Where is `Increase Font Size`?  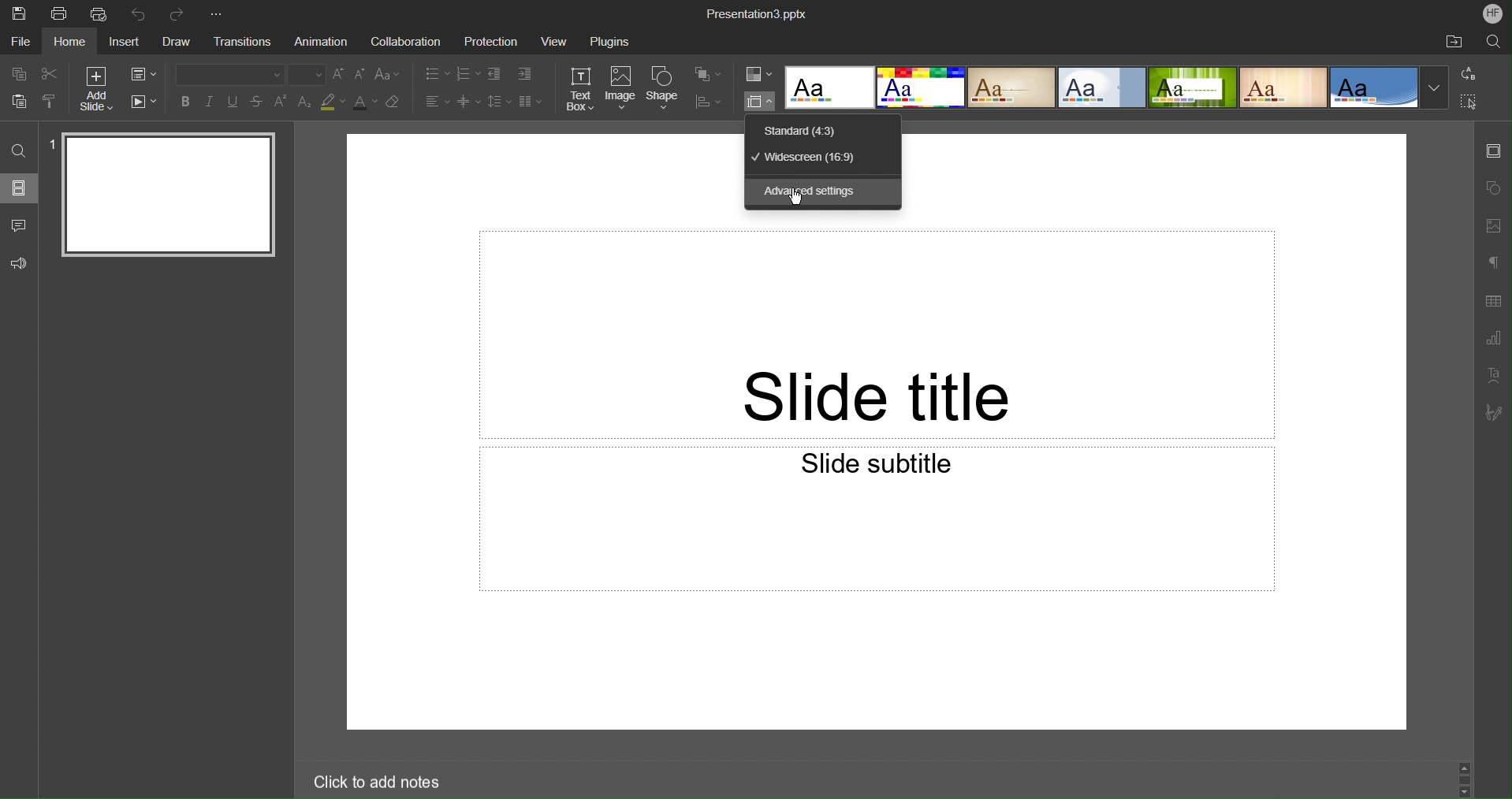
Increase Font Size is located at coordinates (340, 75).